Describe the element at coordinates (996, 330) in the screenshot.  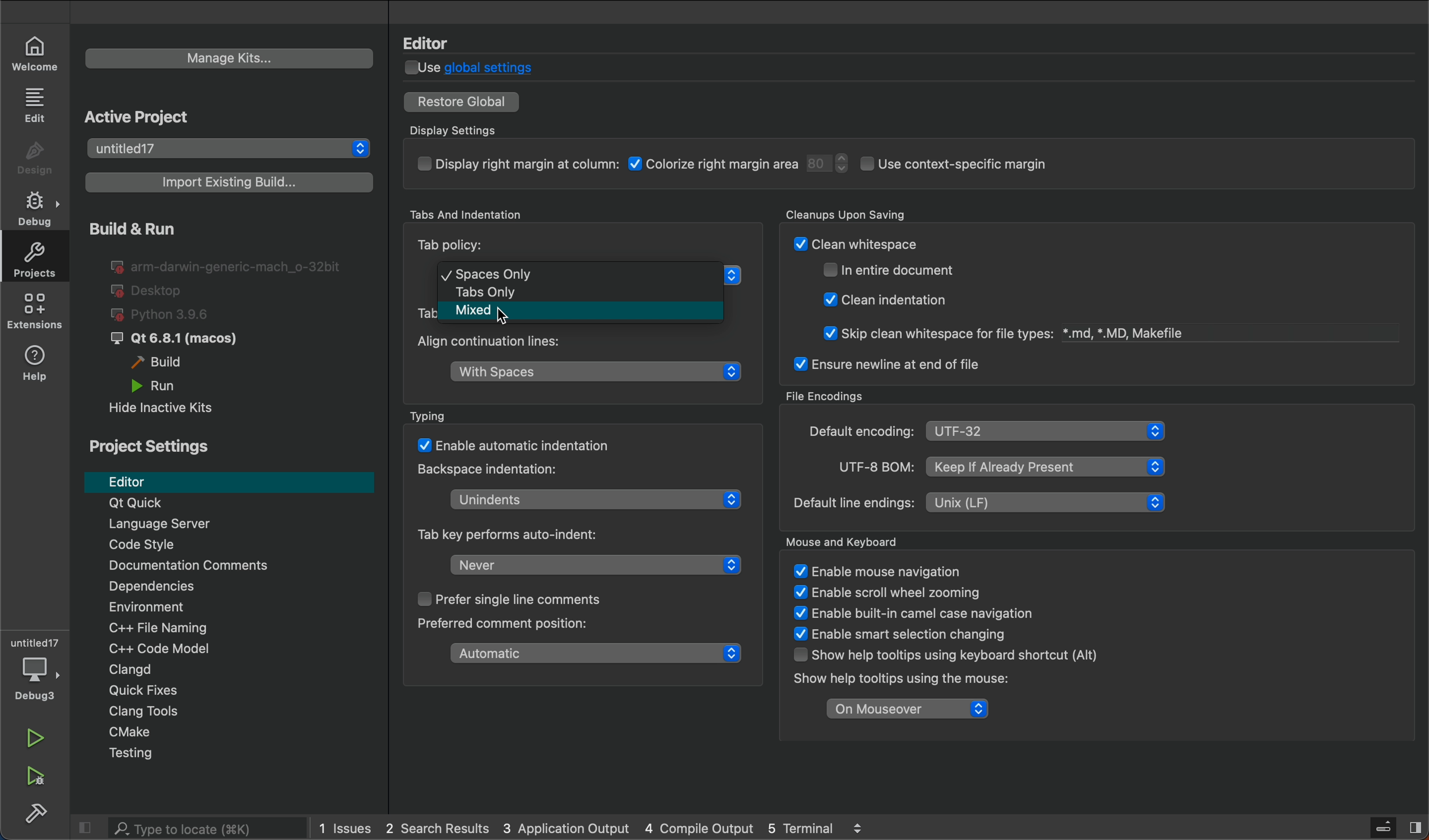
I see `Skip clean whitespace for file types: *.md, *.MD, Makefile` at that location.